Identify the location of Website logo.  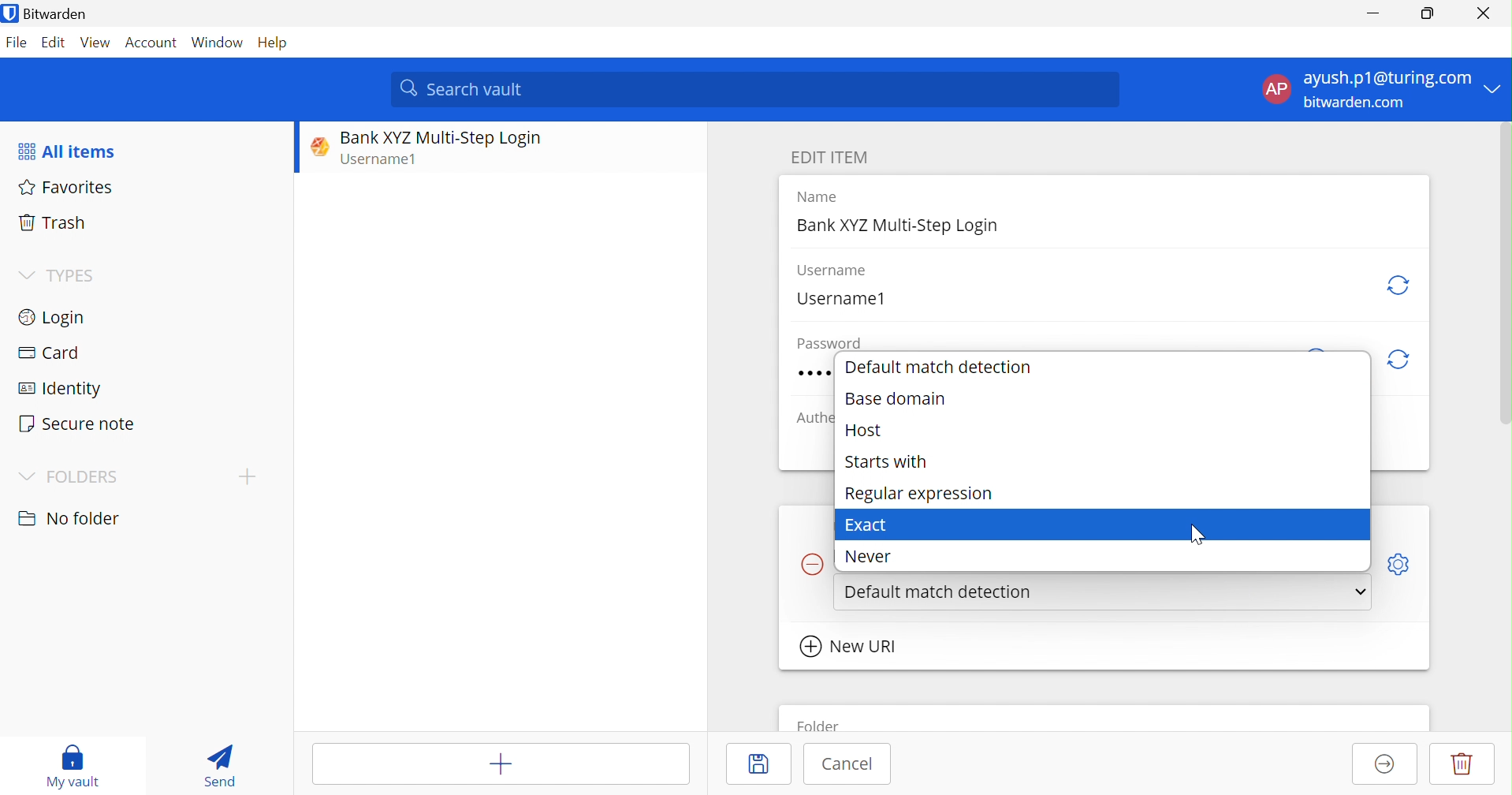
(315, 146).